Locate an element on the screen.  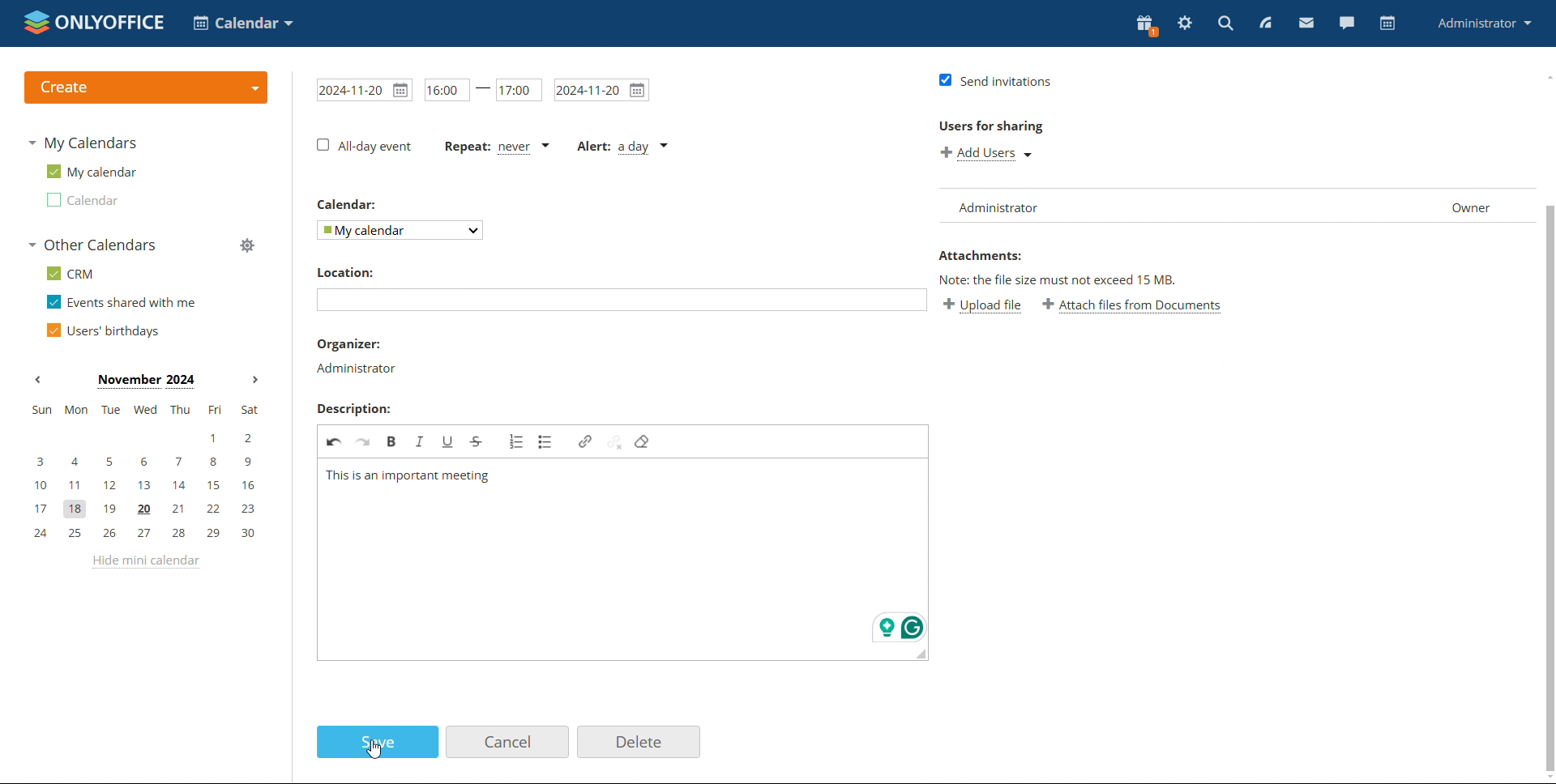
end time is located at coordinates (519, 89).